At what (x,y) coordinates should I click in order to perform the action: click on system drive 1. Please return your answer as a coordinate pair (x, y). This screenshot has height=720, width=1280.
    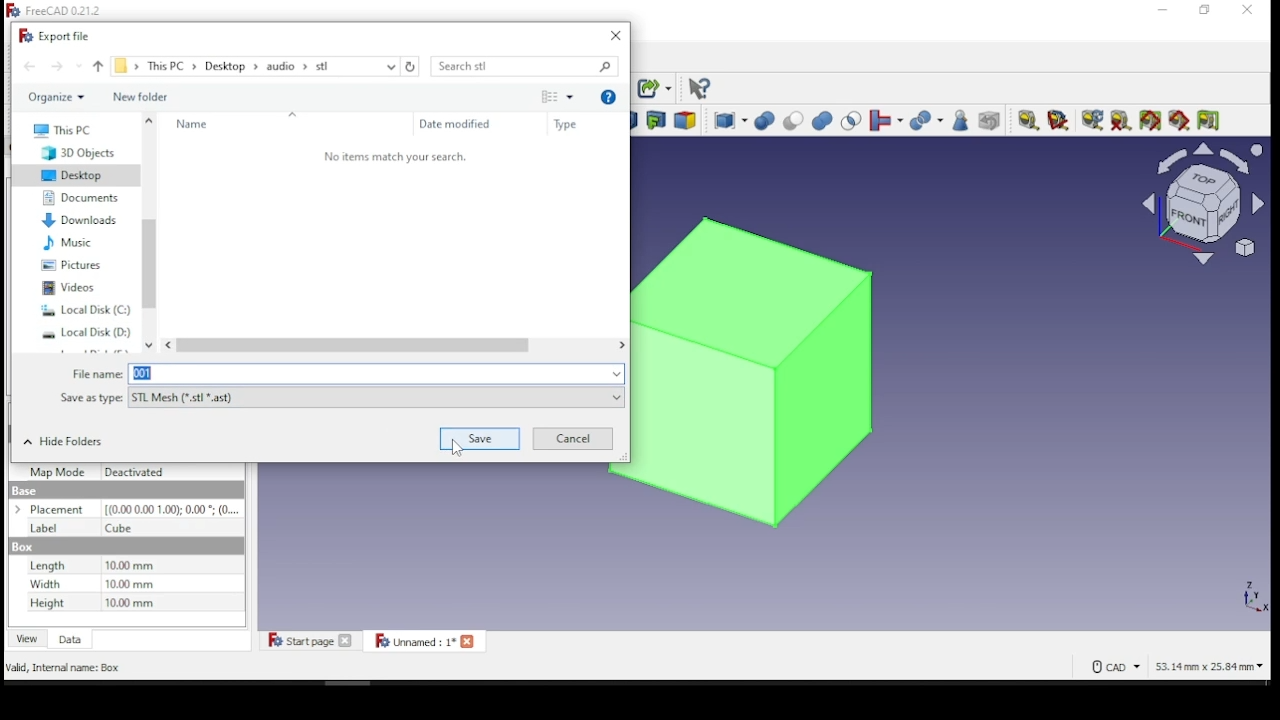
    Looking at the image, I should click on (85, 310).